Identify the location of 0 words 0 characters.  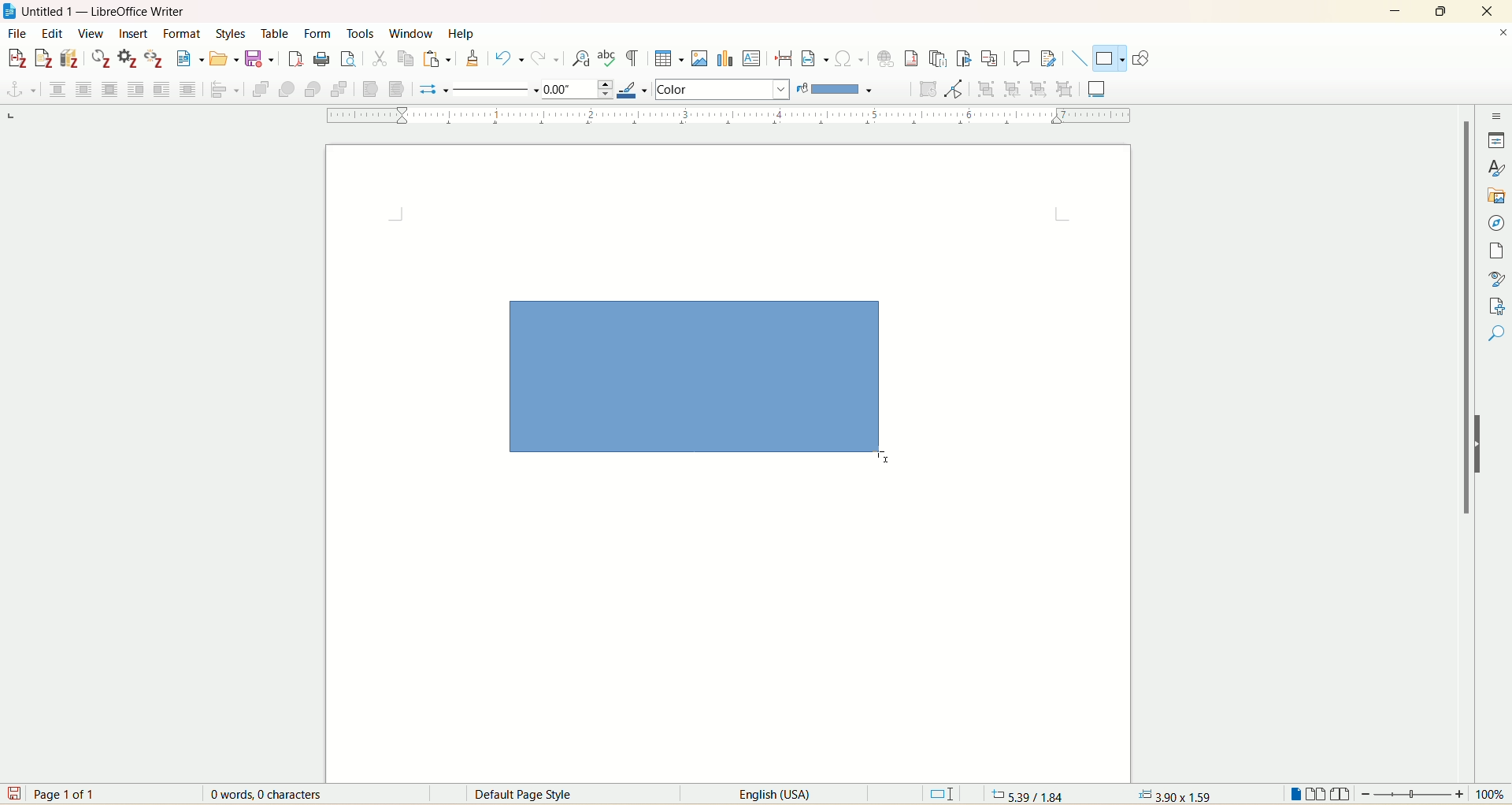
(276, 794).